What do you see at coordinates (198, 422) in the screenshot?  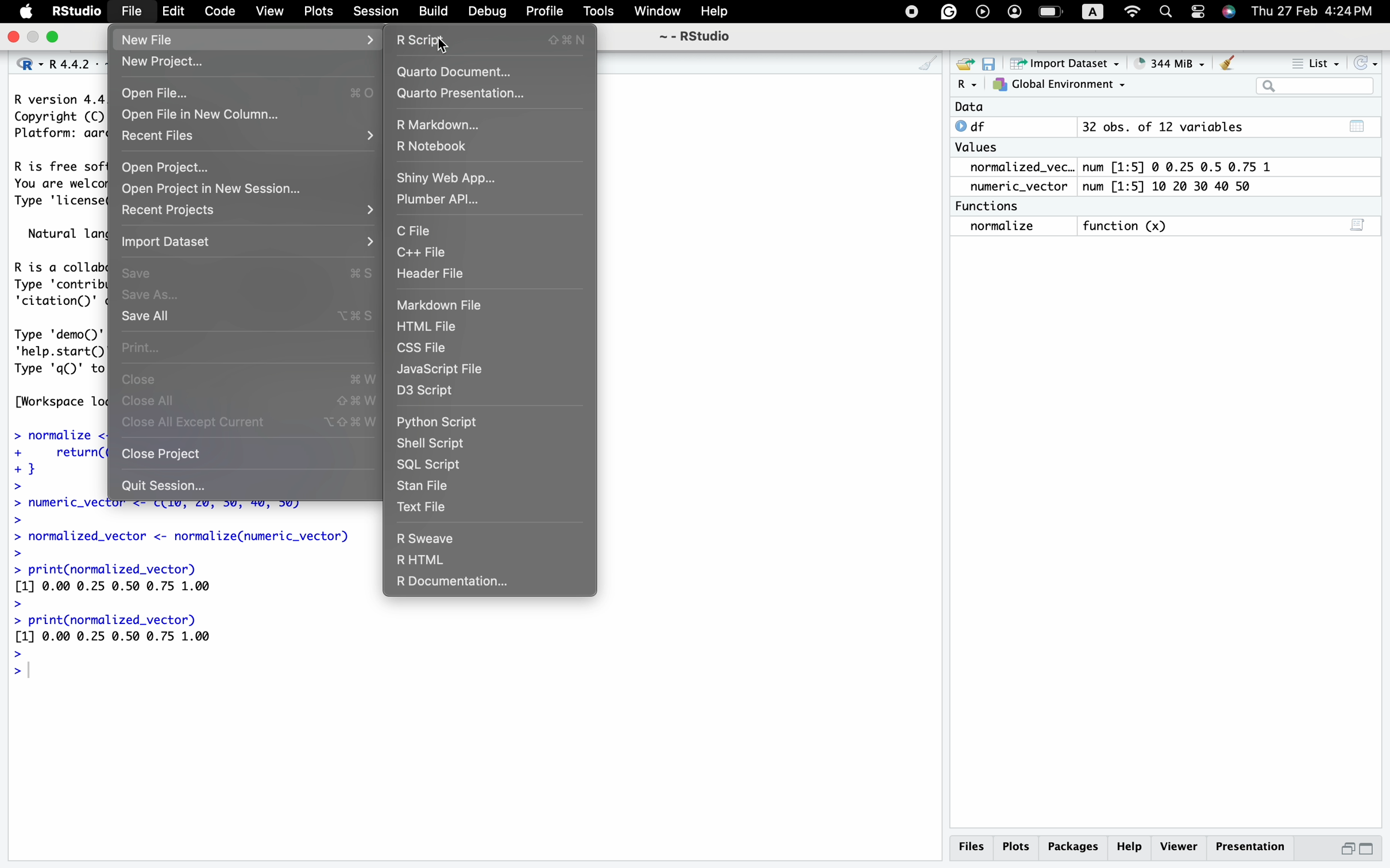 I see `Close all except current` at bounding box center [198, 422].